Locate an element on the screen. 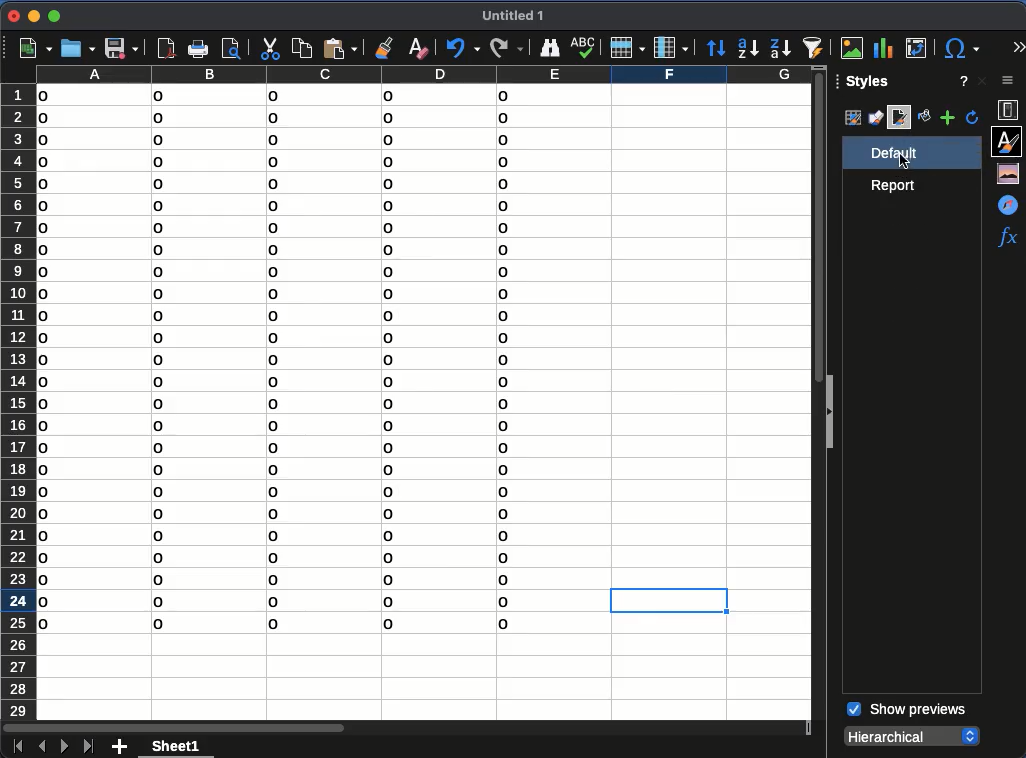 The height and width of the screenshot is (758, 1026). descending is located at coordinates (780, 48).